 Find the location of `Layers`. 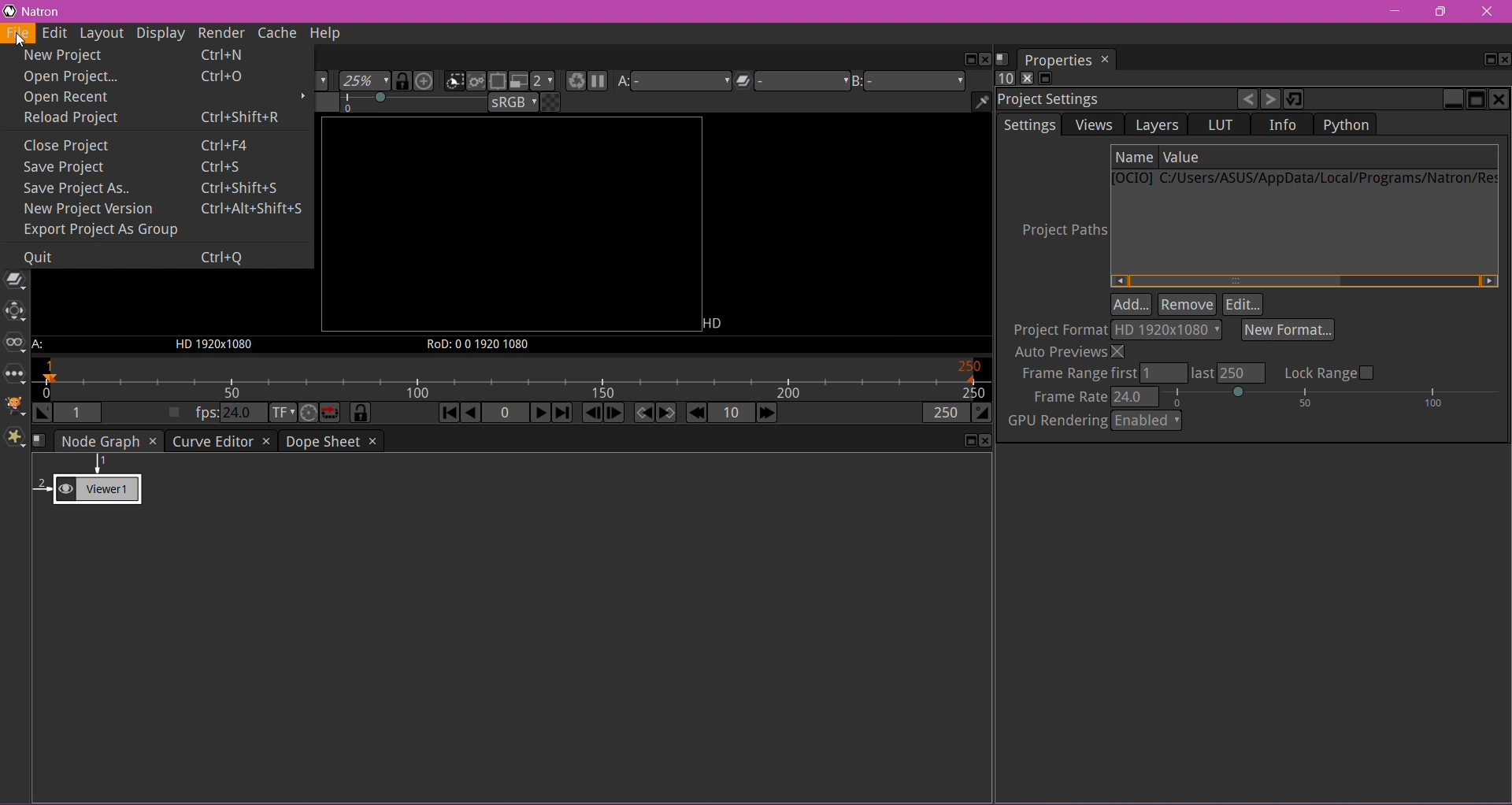

Layers is located at coordinates (1158, 126).